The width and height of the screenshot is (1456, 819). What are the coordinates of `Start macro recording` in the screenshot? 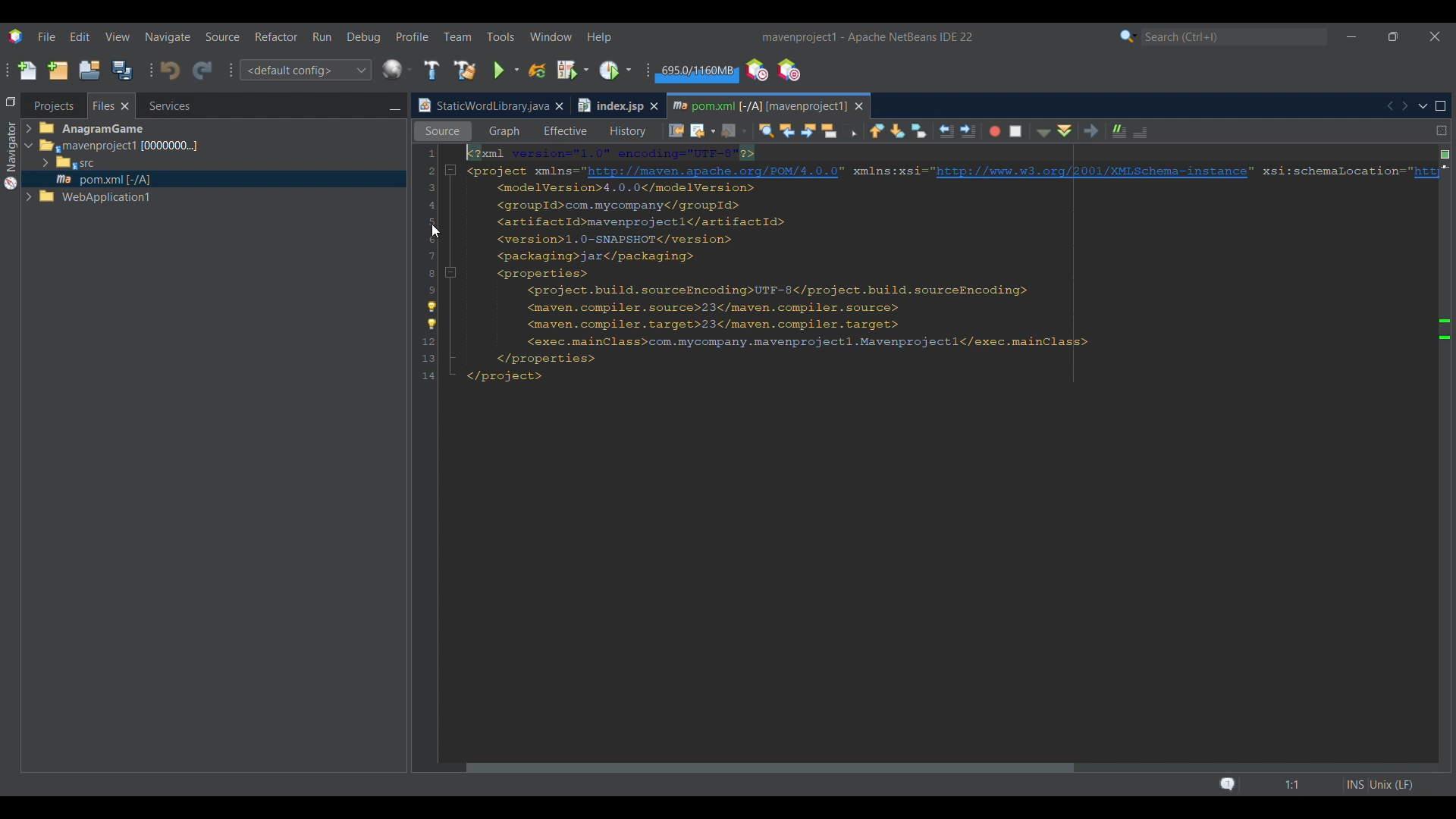 It's located at (993, 132).